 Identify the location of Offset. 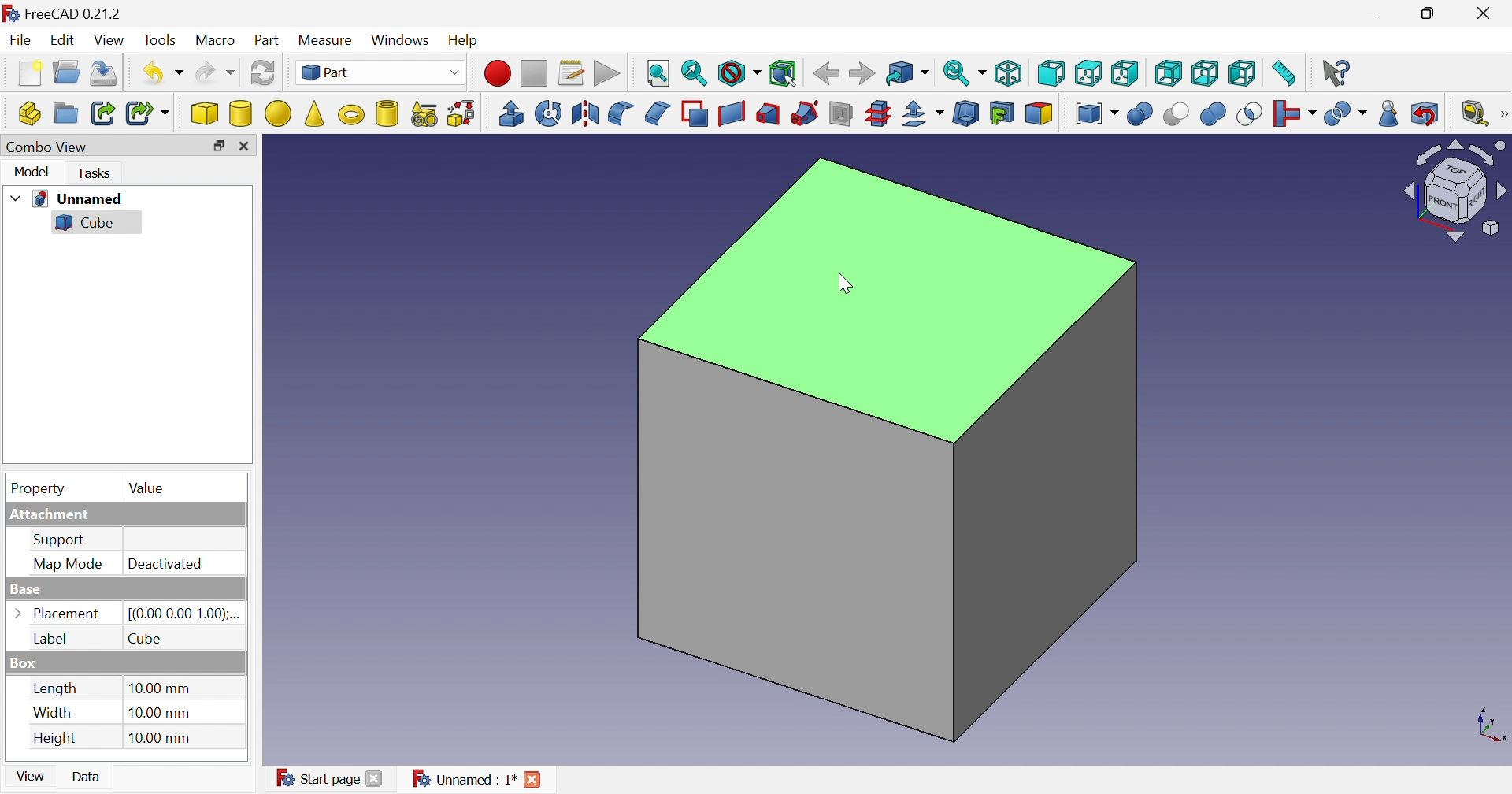
(925, 114).